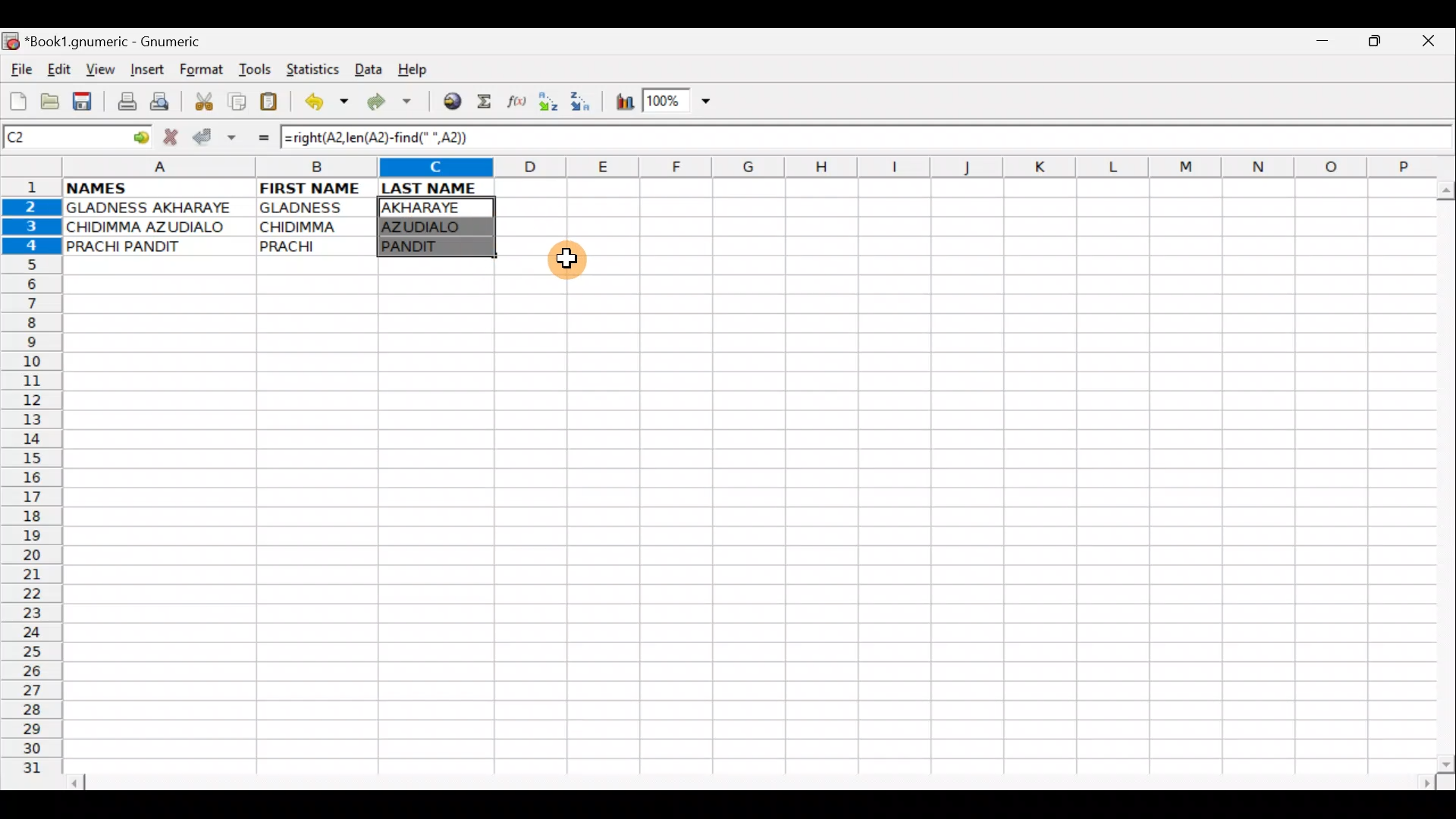  Describe the element at coordinates (174, 134) in the screenshot. I see `Cancel change` at that location.